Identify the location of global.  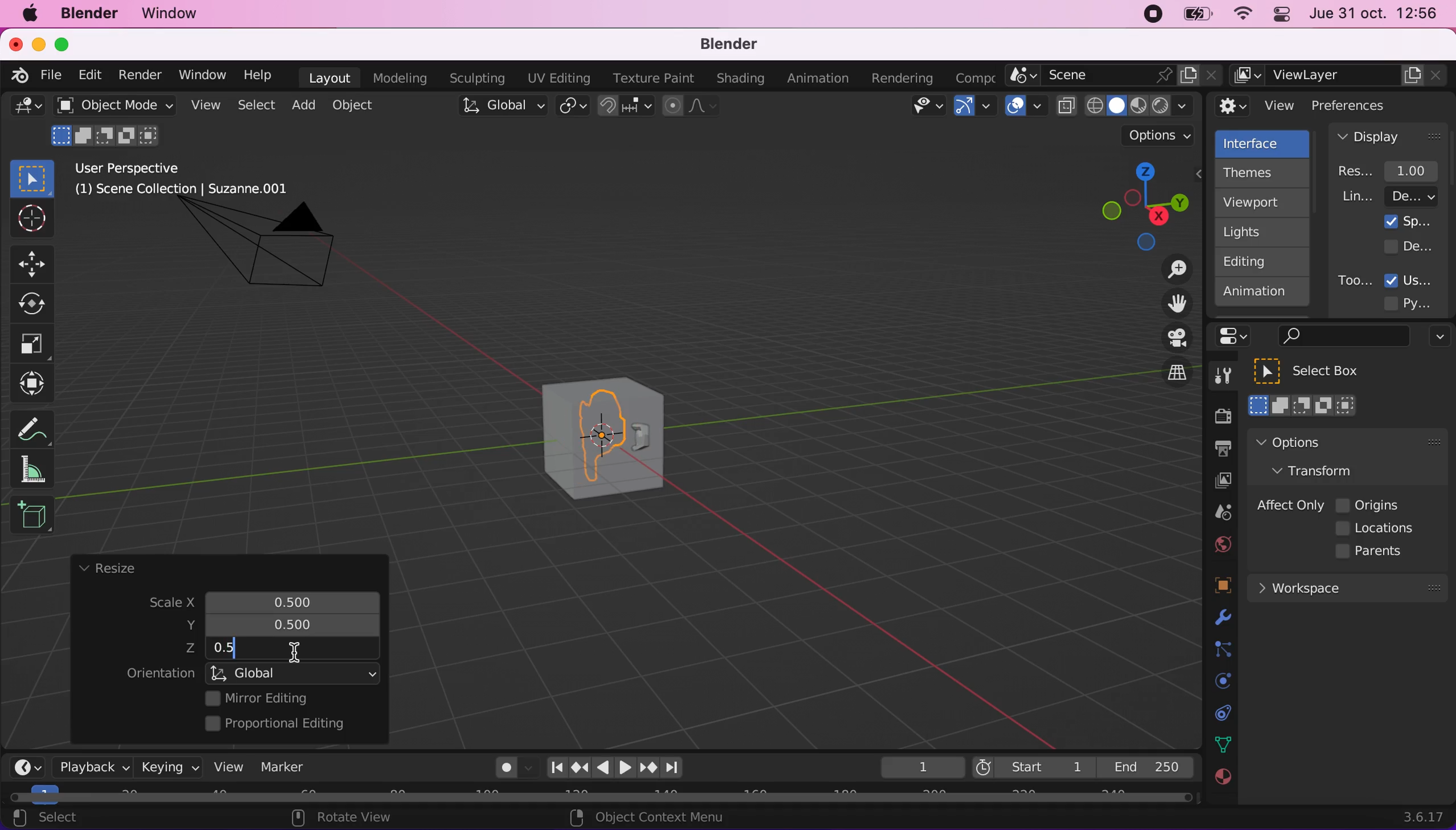
(500, 108).